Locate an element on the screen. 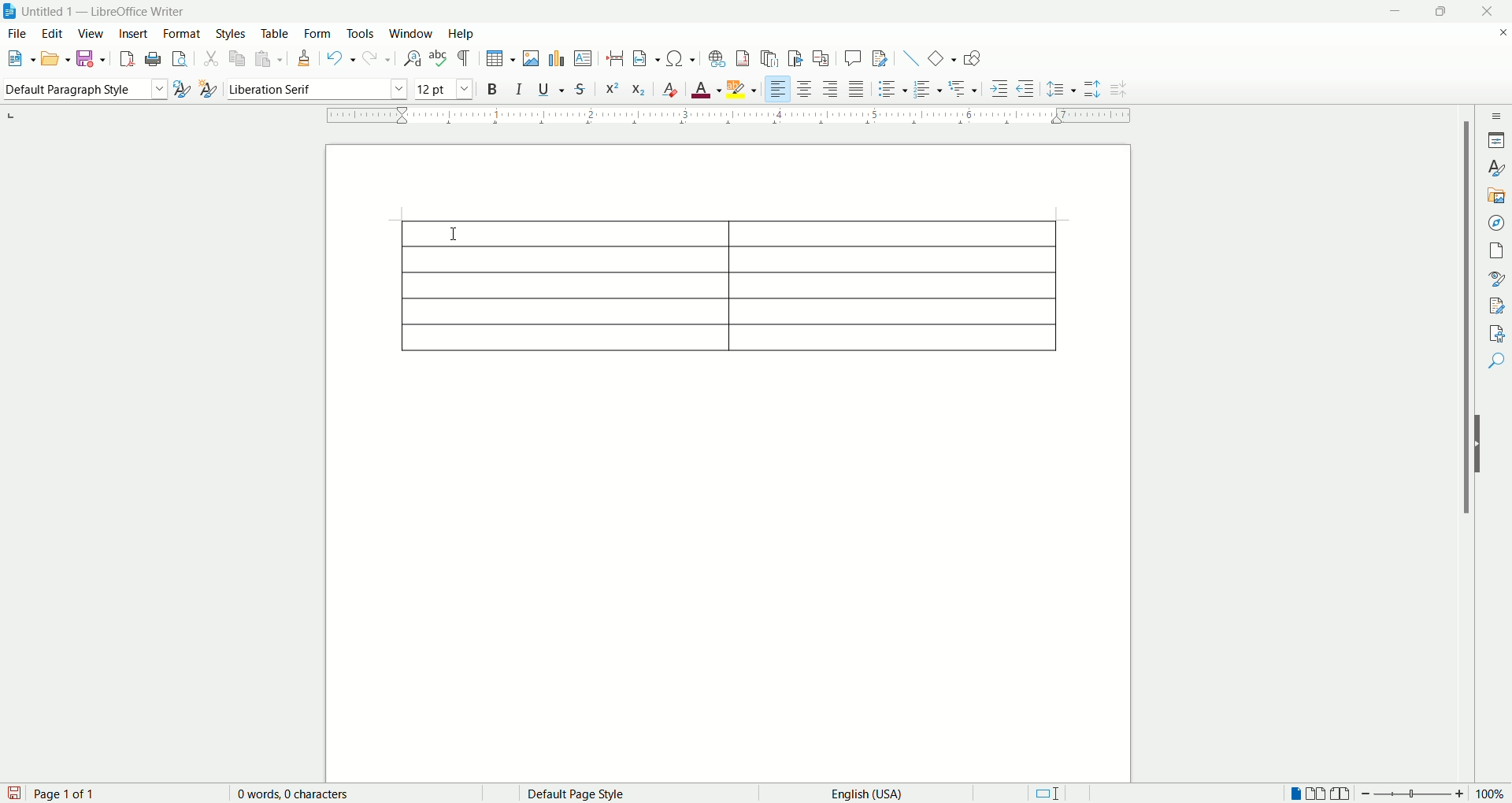  undo is located at coordinates (342, 59).